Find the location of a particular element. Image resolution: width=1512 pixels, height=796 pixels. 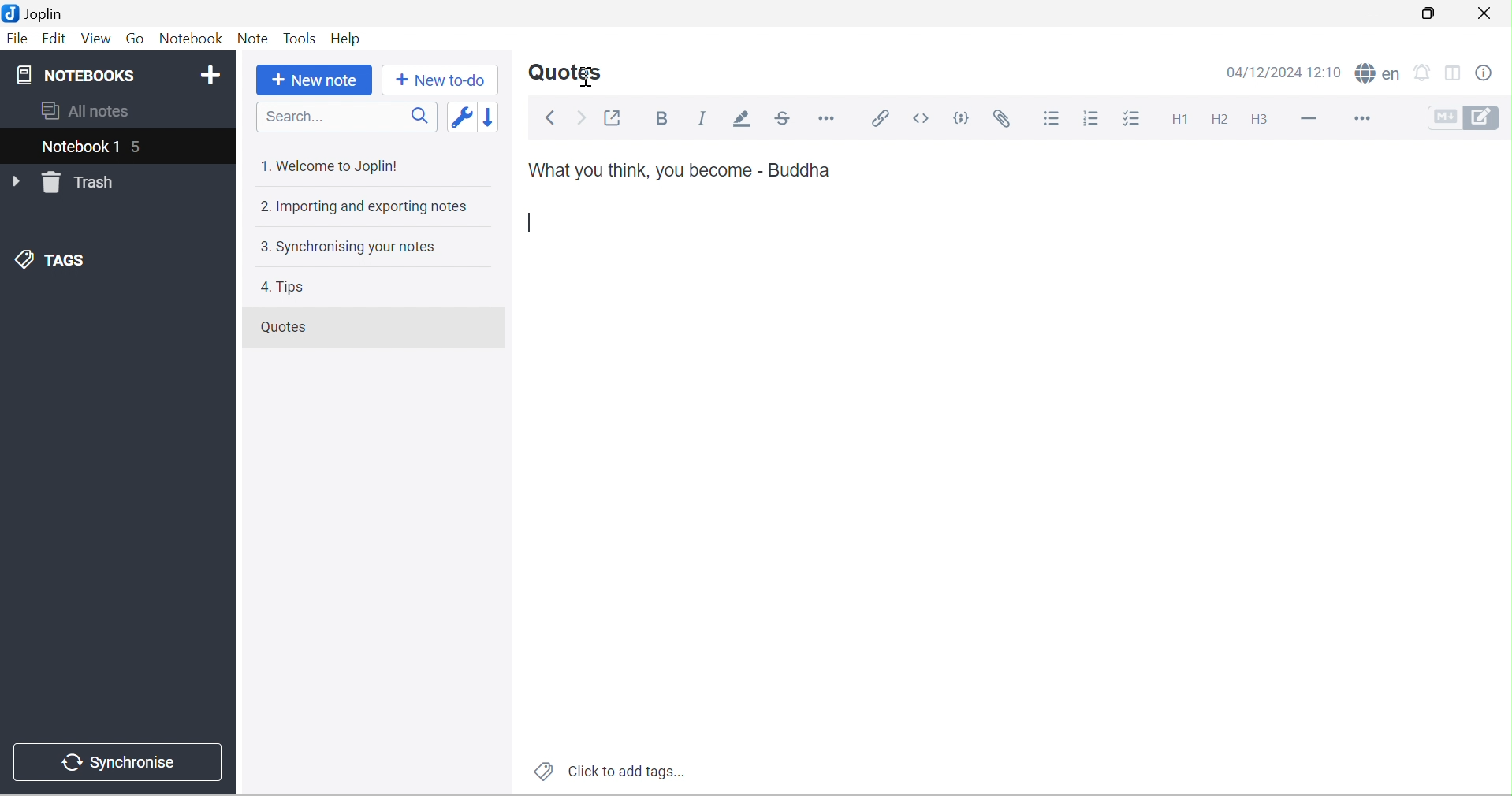

Cursor is located at coordinates (587, 77).